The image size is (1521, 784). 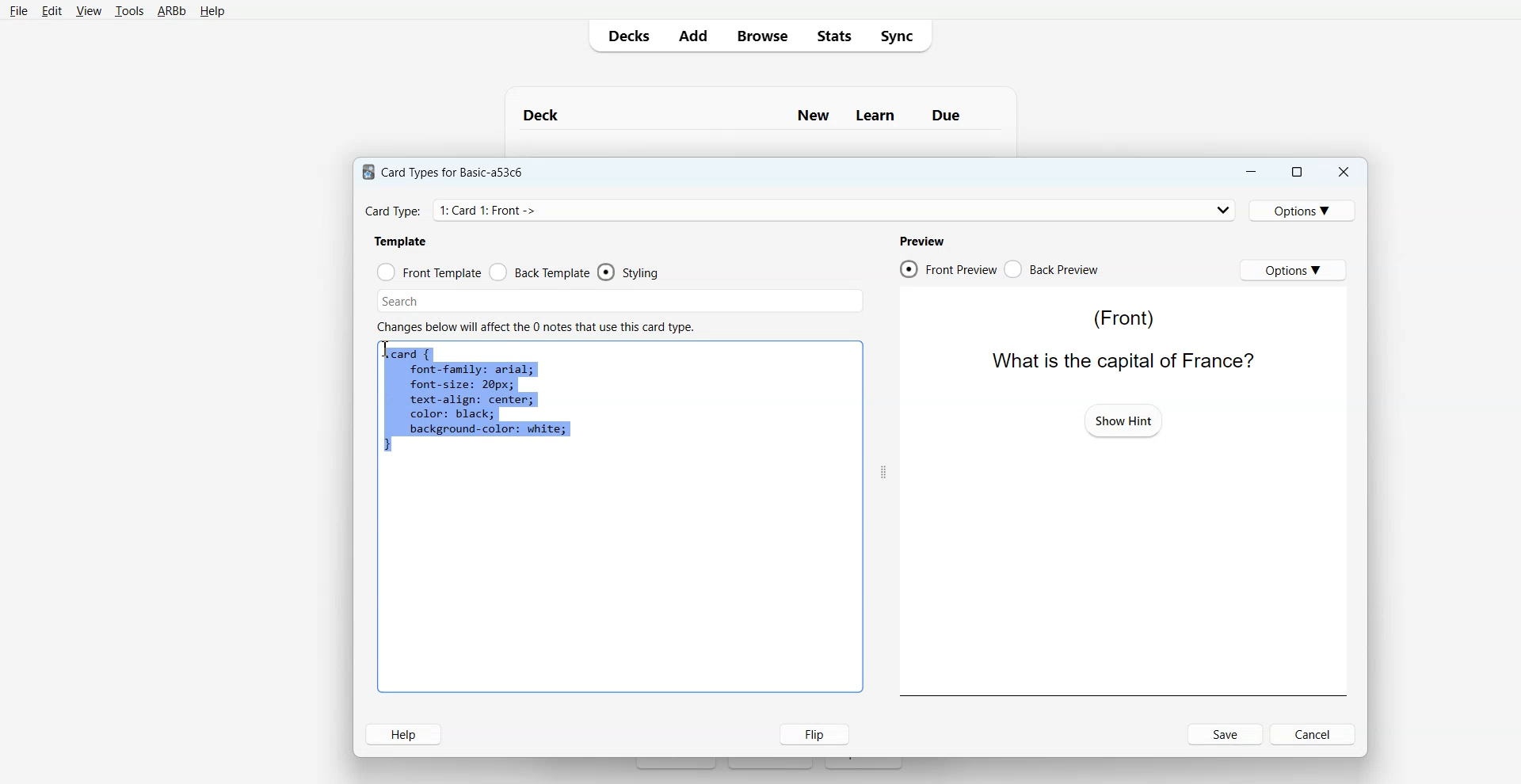 I want to click on Flip, so click(x=810, y=733).